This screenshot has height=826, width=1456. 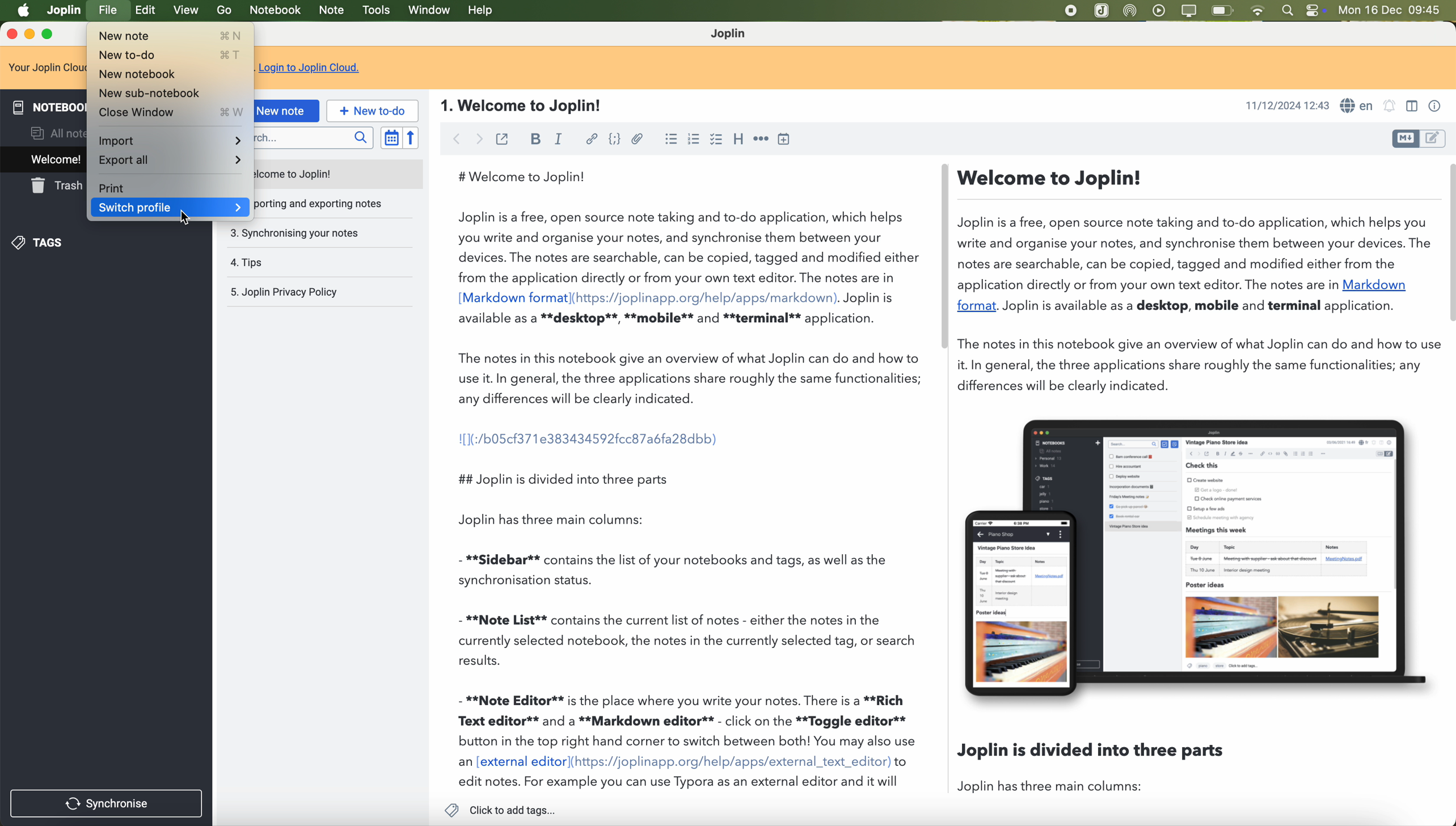 I want to click on stop recording, so click(x=1069, y=11).